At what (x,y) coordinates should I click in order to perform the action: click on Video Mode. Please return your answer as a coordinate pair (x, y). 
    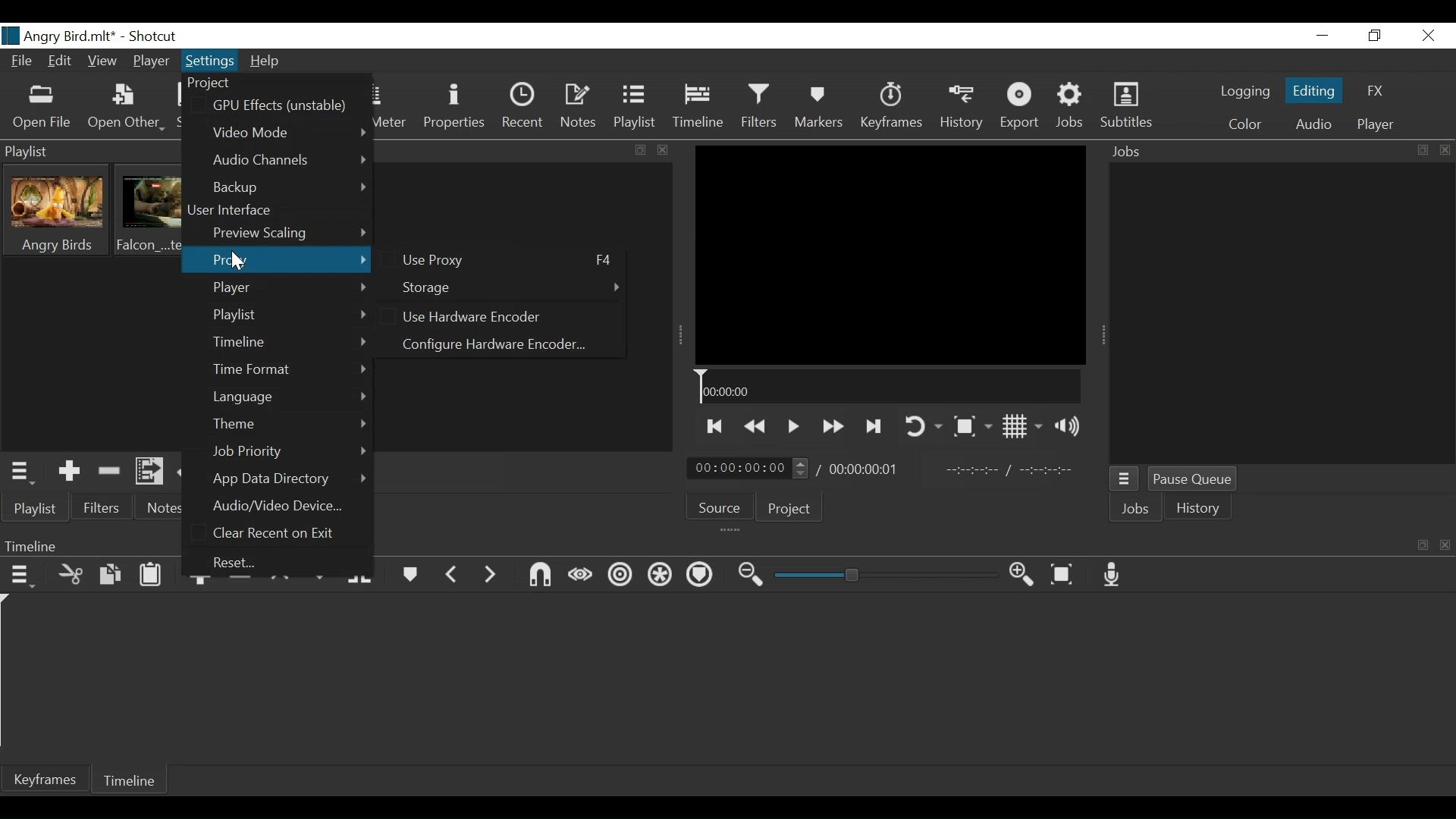
    Looking at the image, I should click on (288, 133).